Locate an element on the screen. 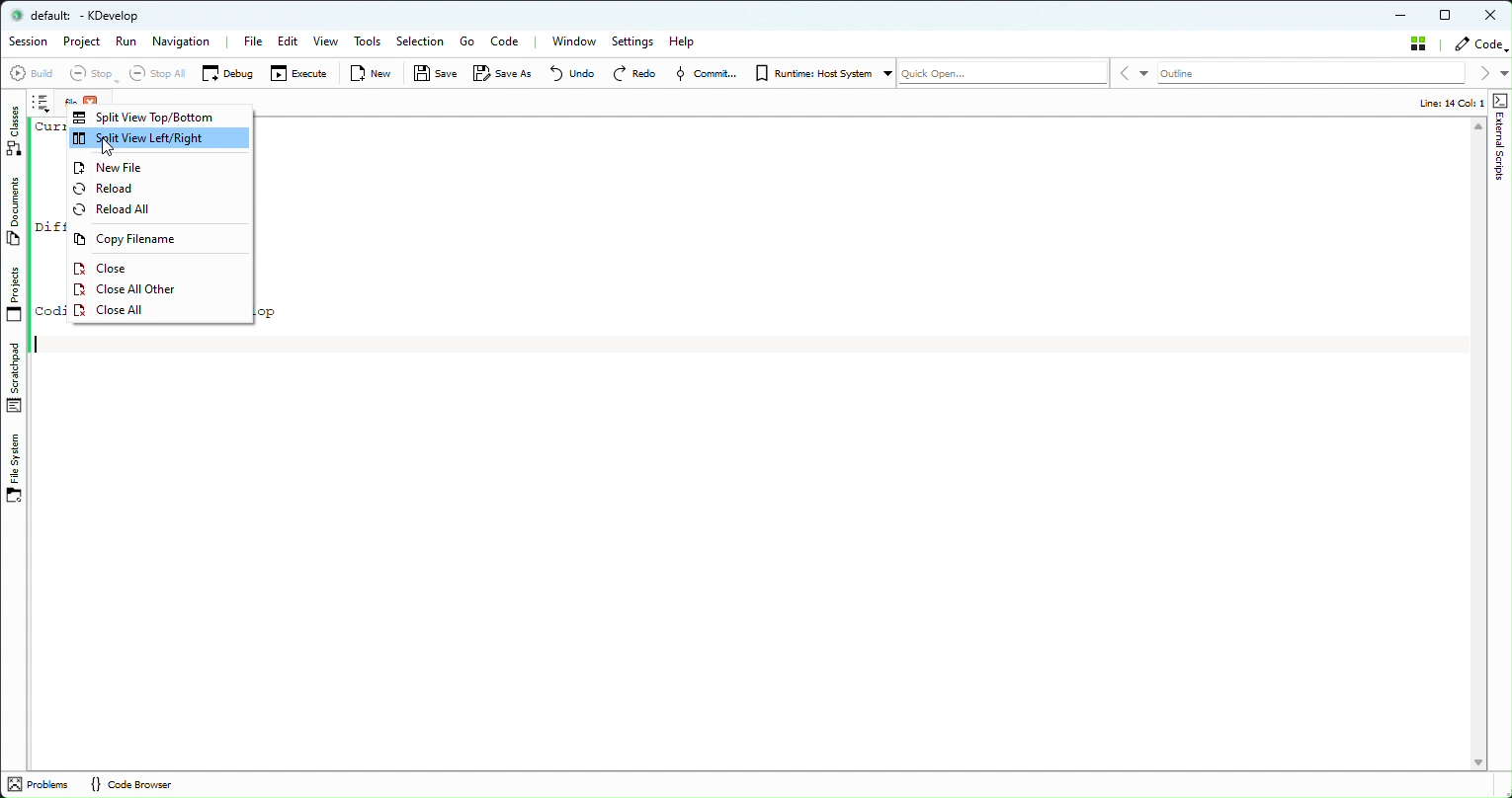  New is located at coordinates (372, 73).